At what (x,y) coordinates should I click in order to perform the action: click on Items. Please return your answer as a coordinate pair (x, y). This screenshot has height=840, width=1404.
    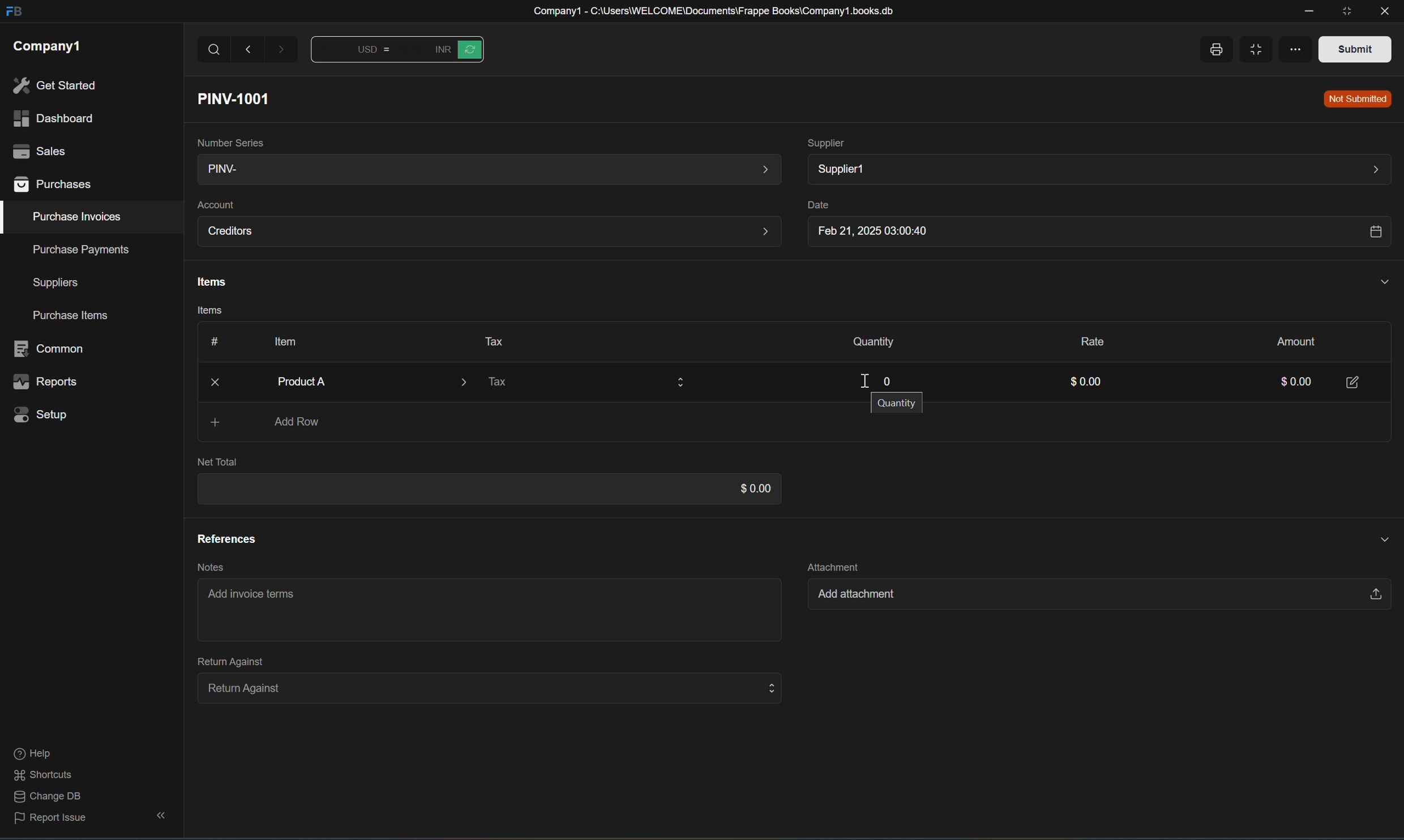
    Looking at the image, I should click on (205, 312).